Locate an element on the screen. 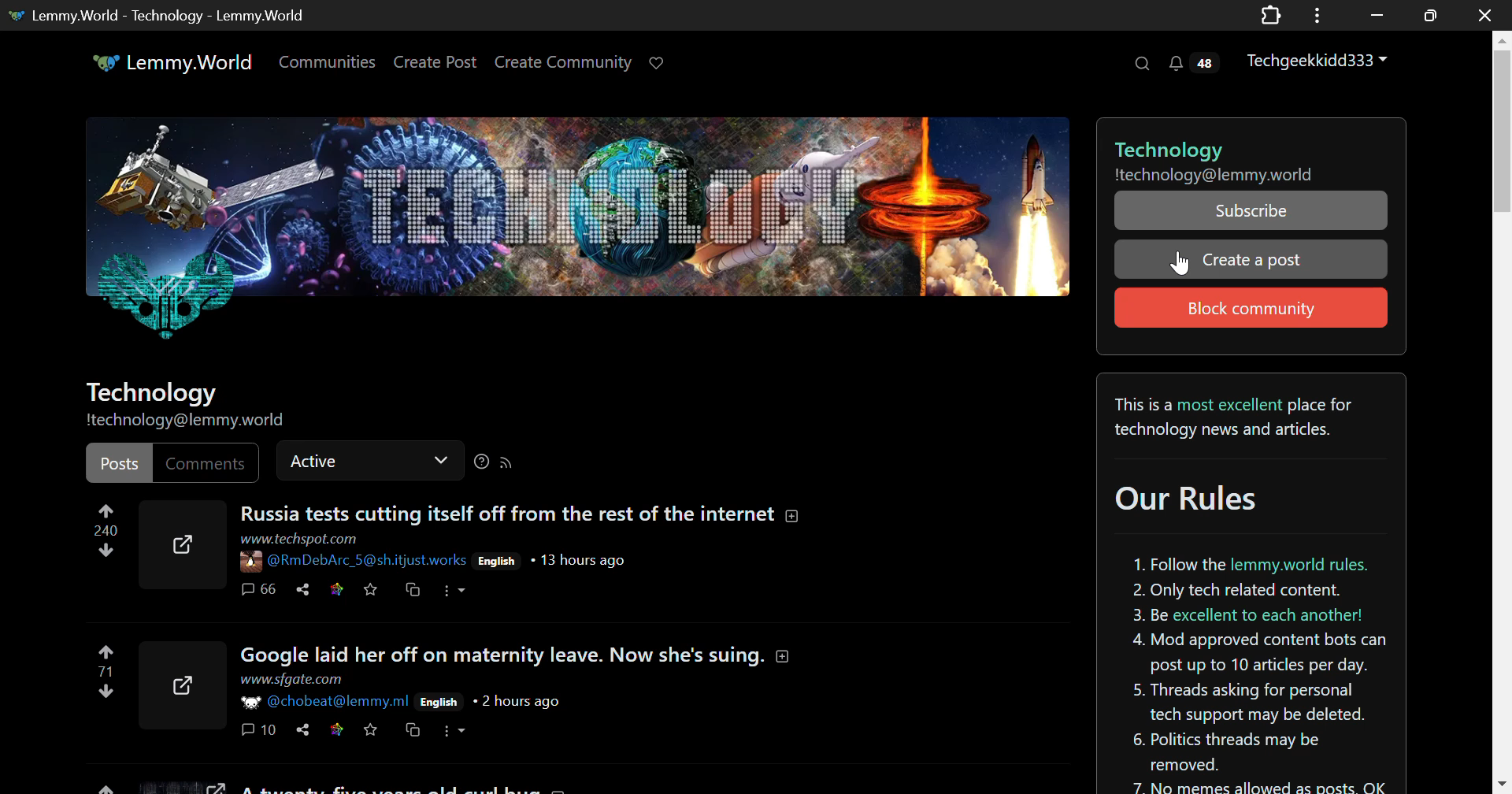 Image resolution: width=1512 pixels, height=794 pixels. Cross-post is located at coordinates (412, 733).